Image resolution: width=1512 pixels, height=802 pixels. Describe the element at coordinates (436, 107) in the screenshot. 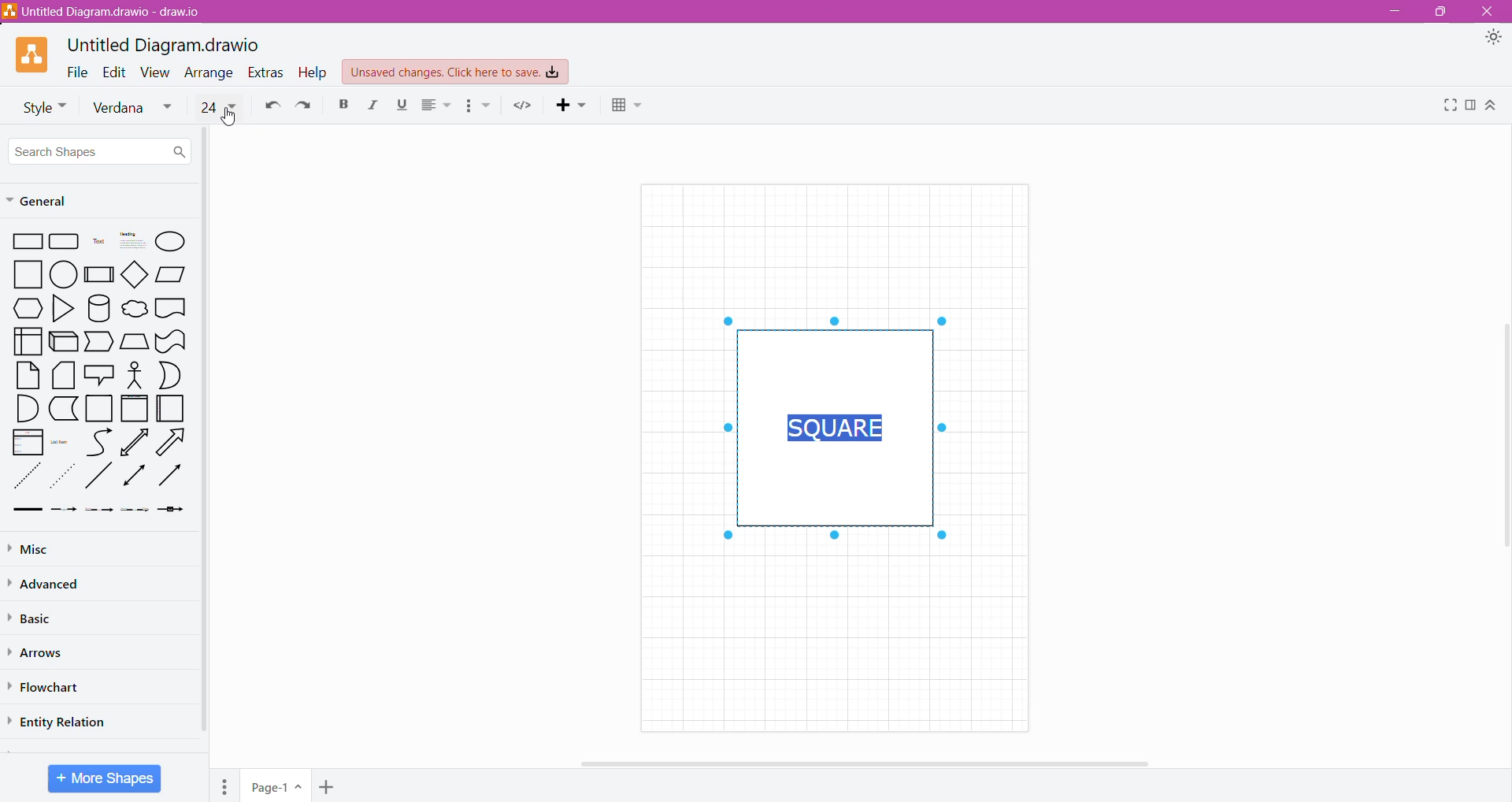

I see `Alignment` at that location.